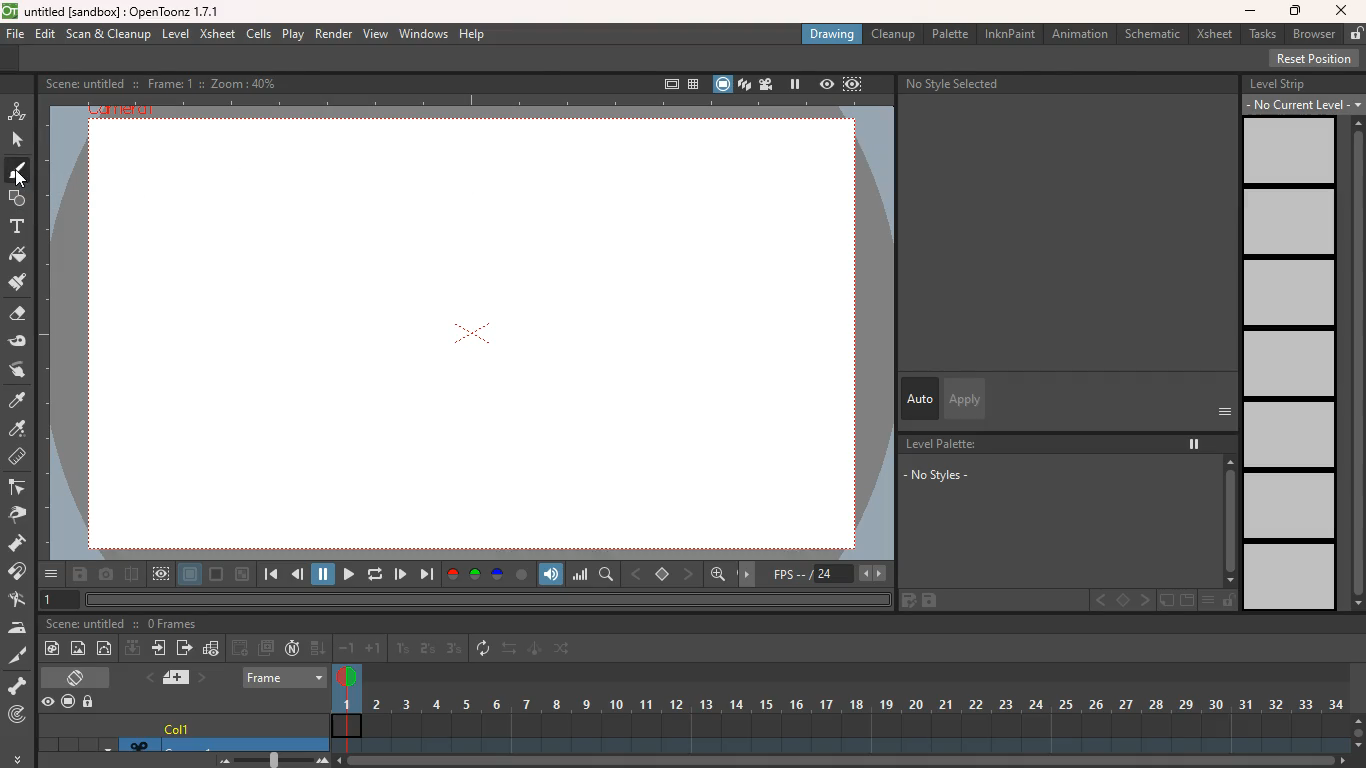  Describe the element at coordinates (423, 34) in the screenshot. I see `windows` at that location.